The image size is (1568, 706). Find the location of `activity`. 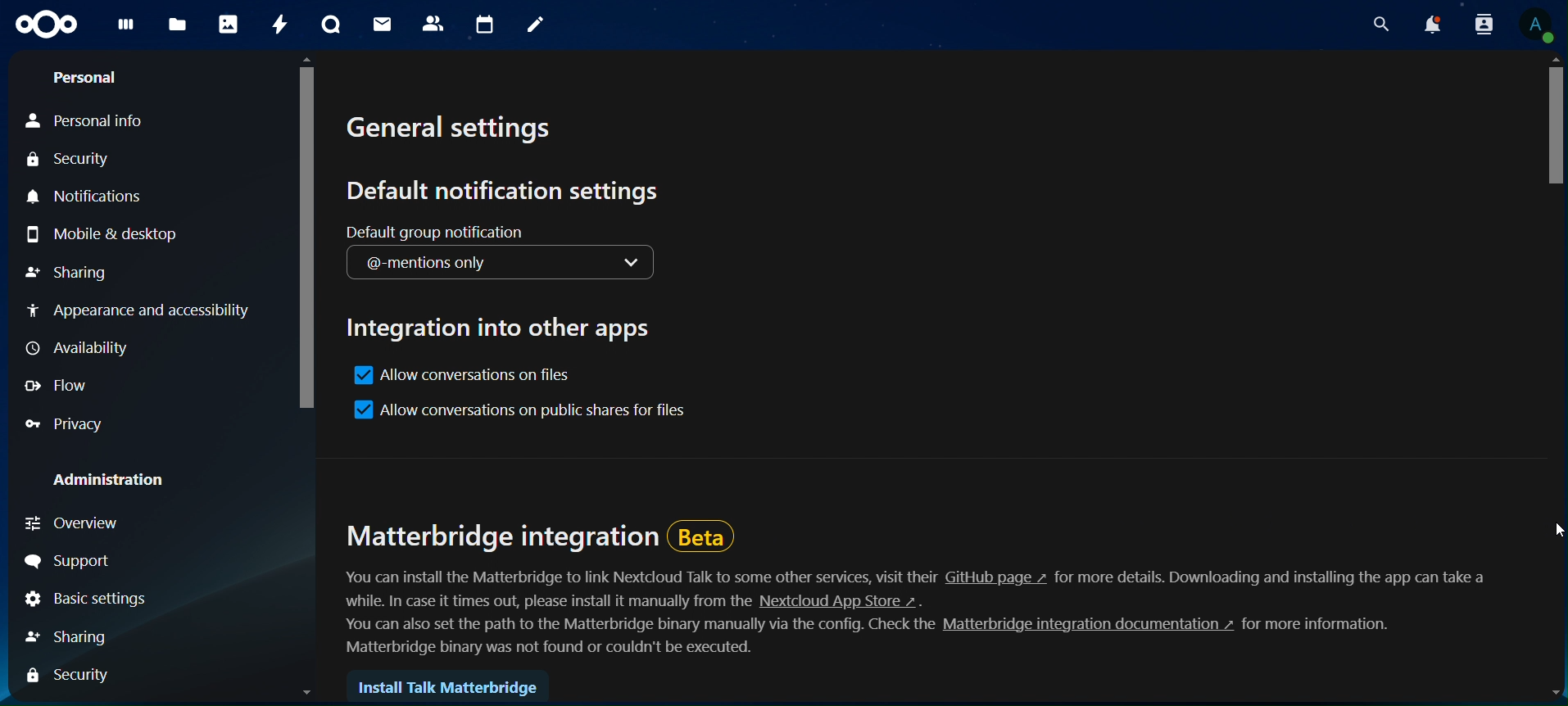

activity is located at coordinates (279, 24).